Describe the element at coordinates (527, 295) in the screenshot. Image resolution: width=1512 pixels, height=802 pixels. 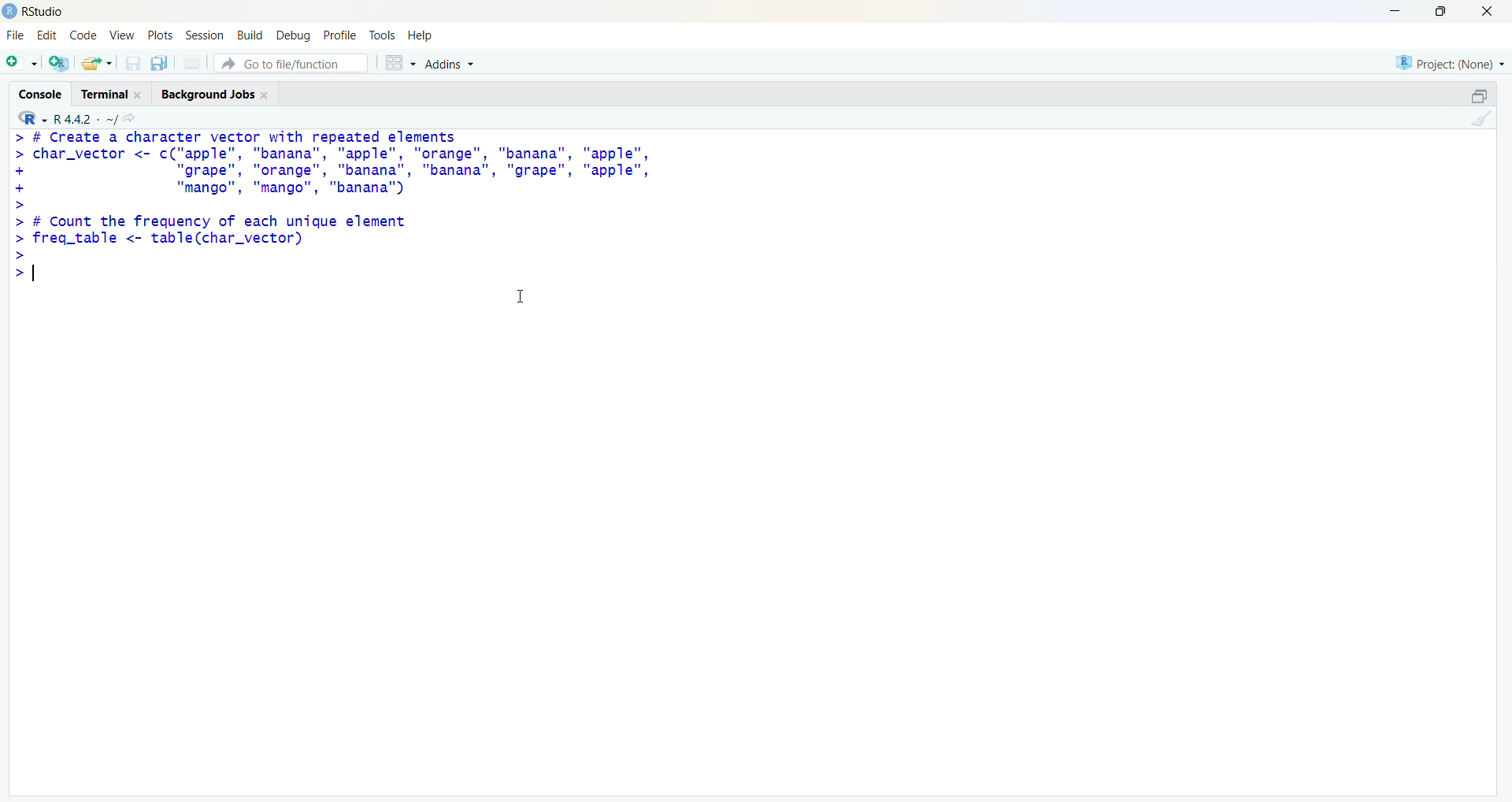
I see `Cursor` at that location.